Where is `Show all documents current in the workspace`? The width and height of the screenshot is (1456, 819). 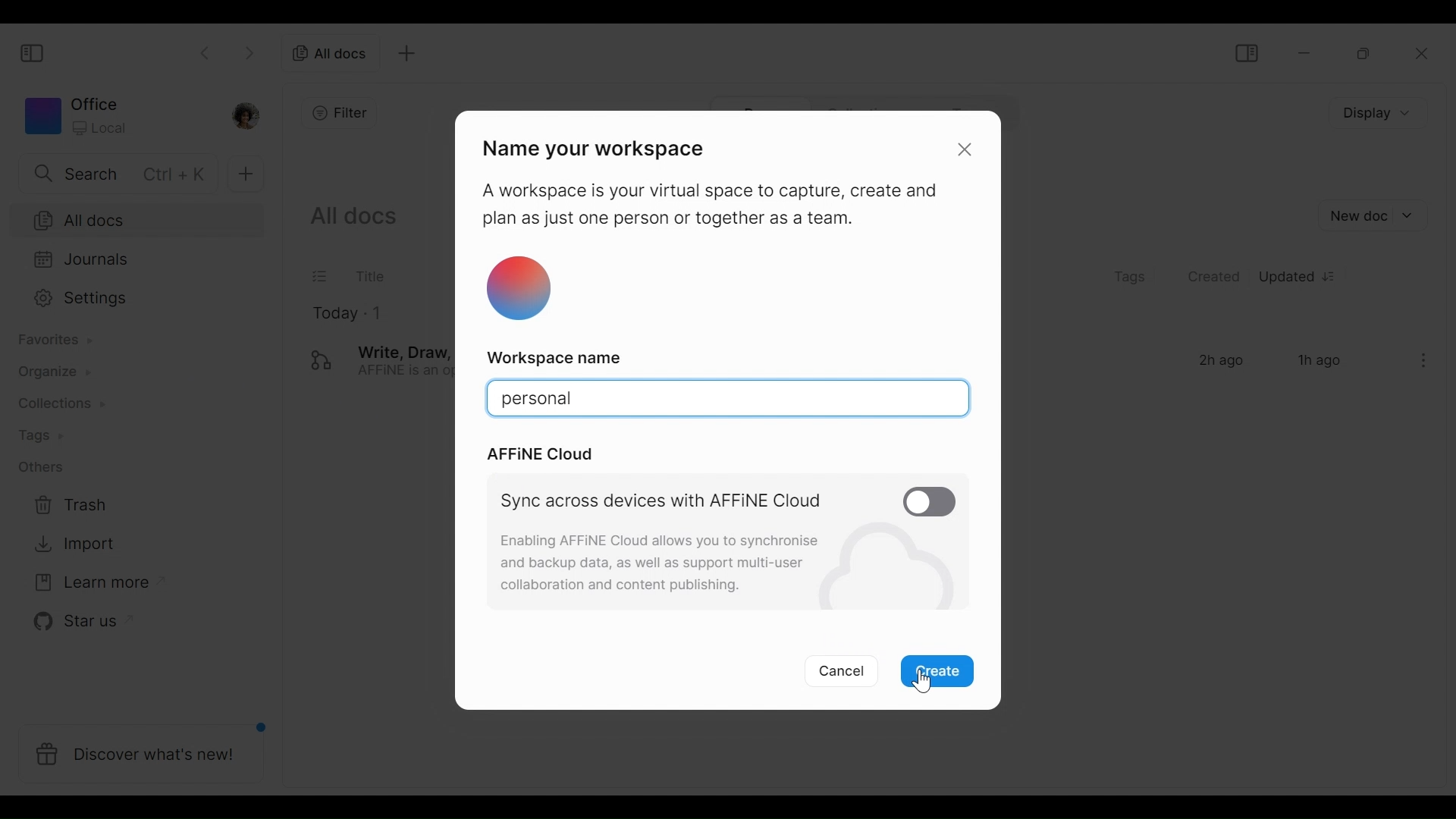 Show all documents current in the workspace is located at coordinates (353, 217).